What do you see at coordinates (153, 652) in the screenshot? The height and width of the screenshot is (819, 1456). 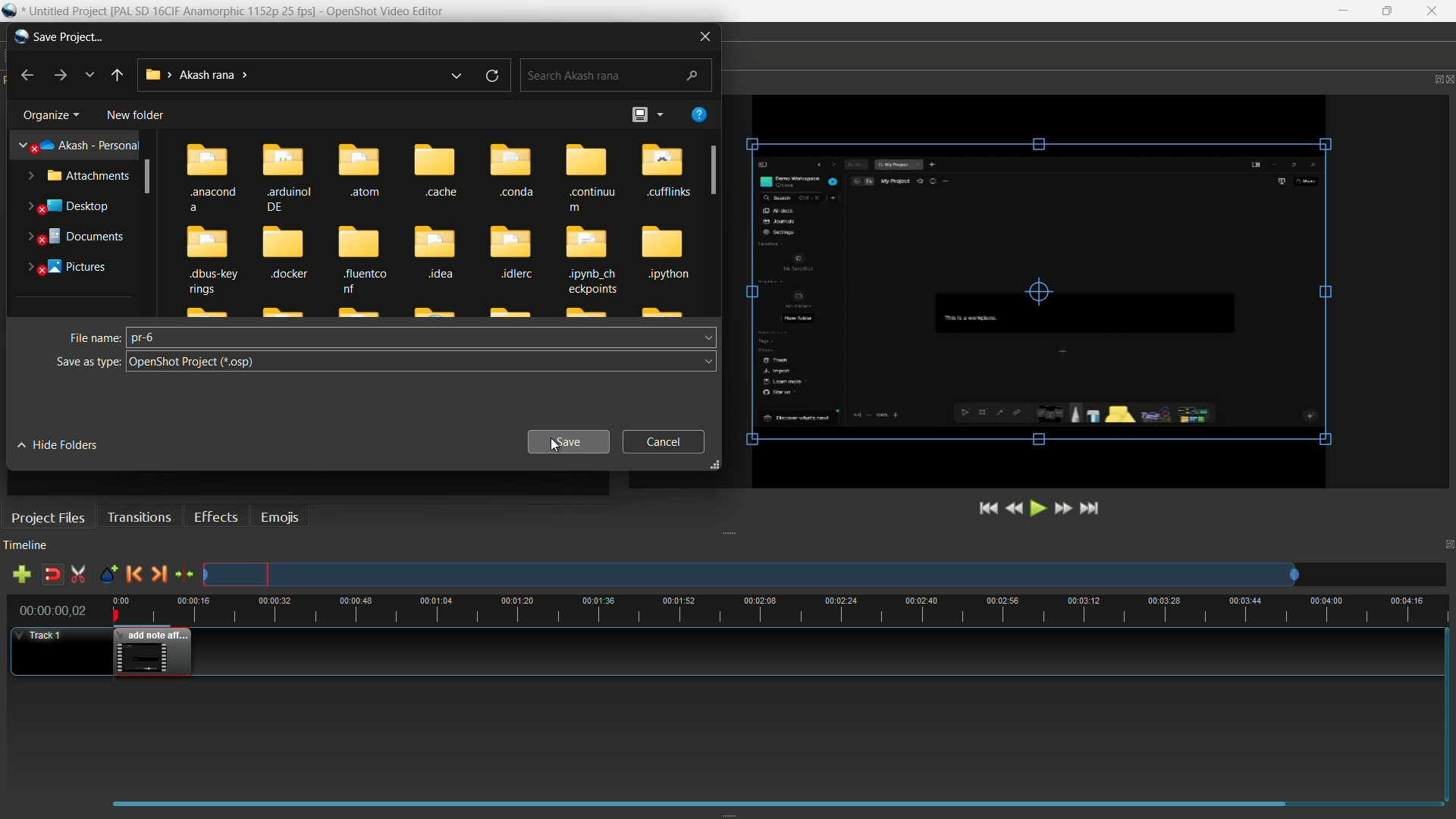 I see `video in timeline` at bounding box center [153, 652].